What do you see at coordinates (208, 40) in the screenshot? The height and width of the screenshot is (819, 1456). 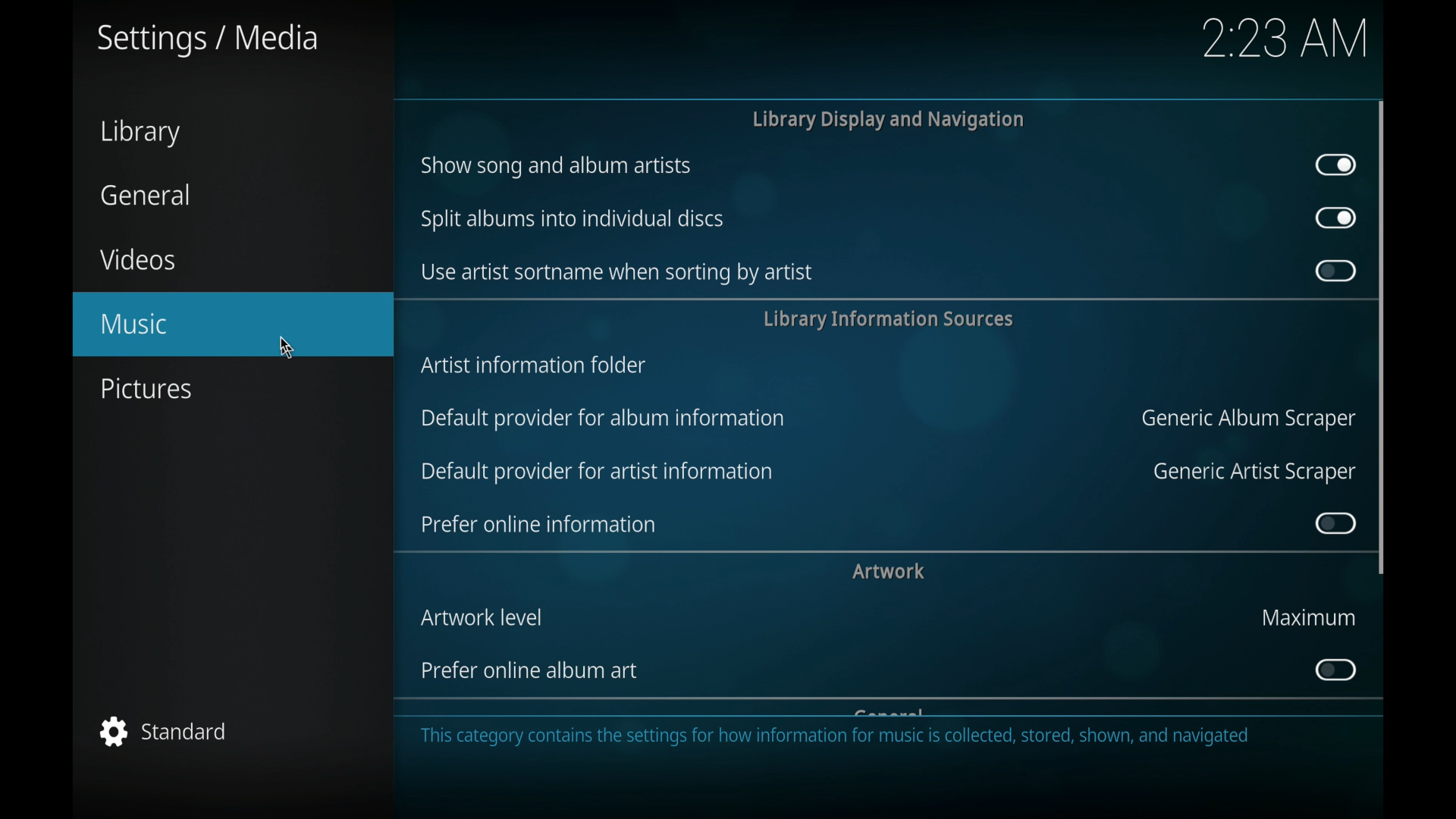 I see `settings/media` at bounding box center [208, 40].